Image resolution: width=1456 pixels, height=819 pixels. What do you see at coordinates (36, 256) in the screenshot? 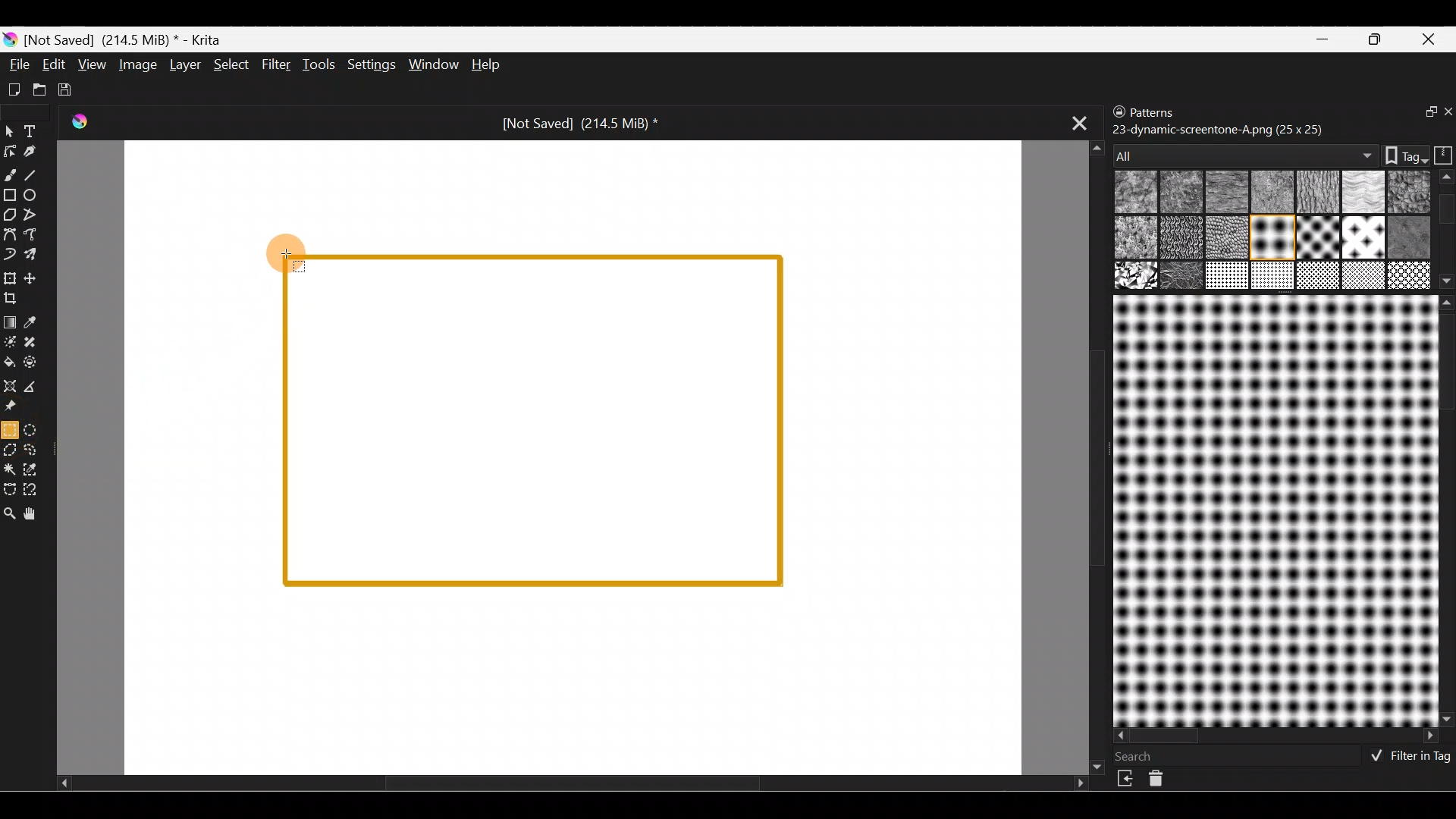
I see `Multibrush tool` at bounding box center [36, 256].